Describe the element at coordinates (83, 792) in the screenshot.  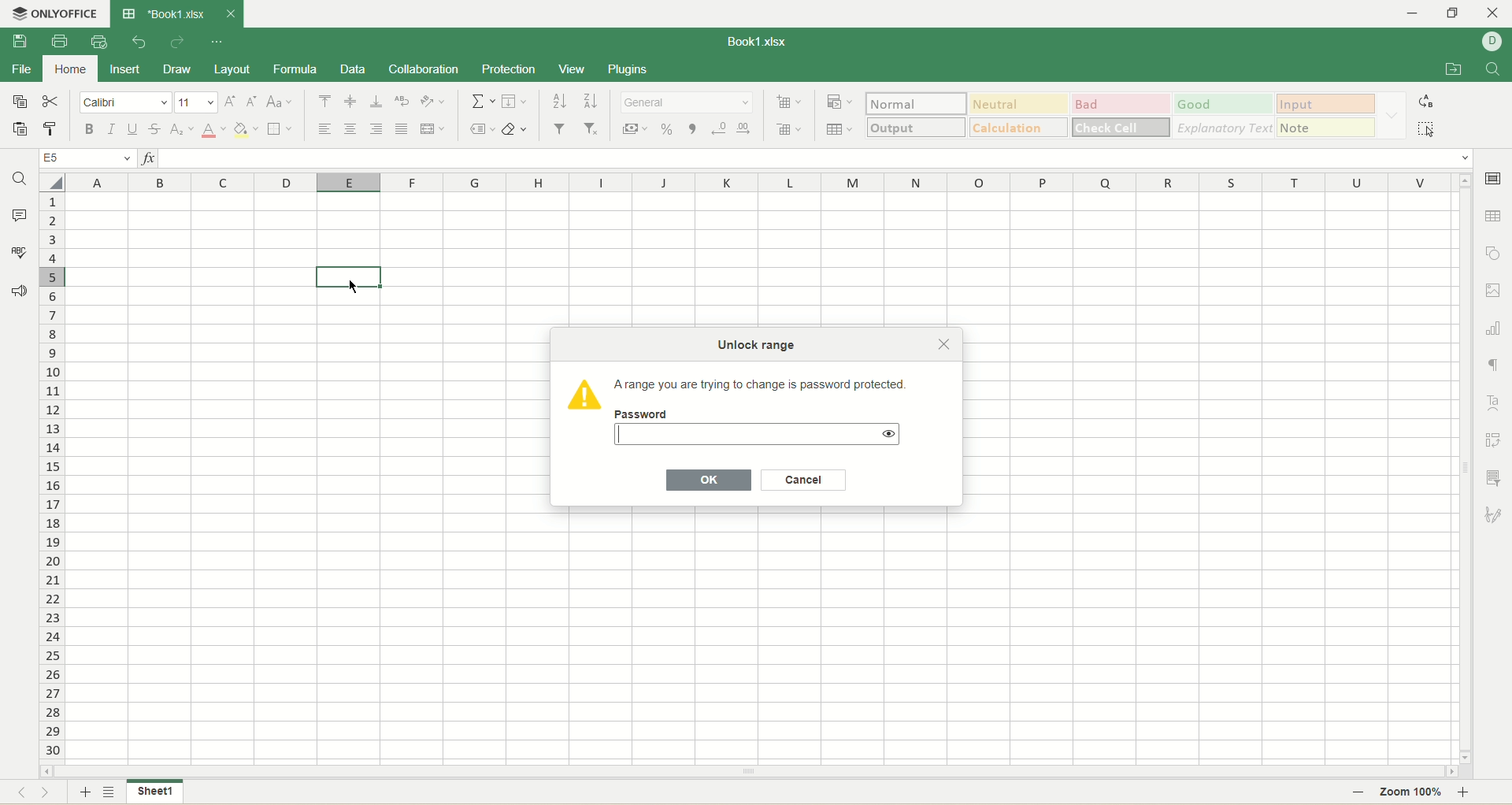
I see `add sheet` at that location.